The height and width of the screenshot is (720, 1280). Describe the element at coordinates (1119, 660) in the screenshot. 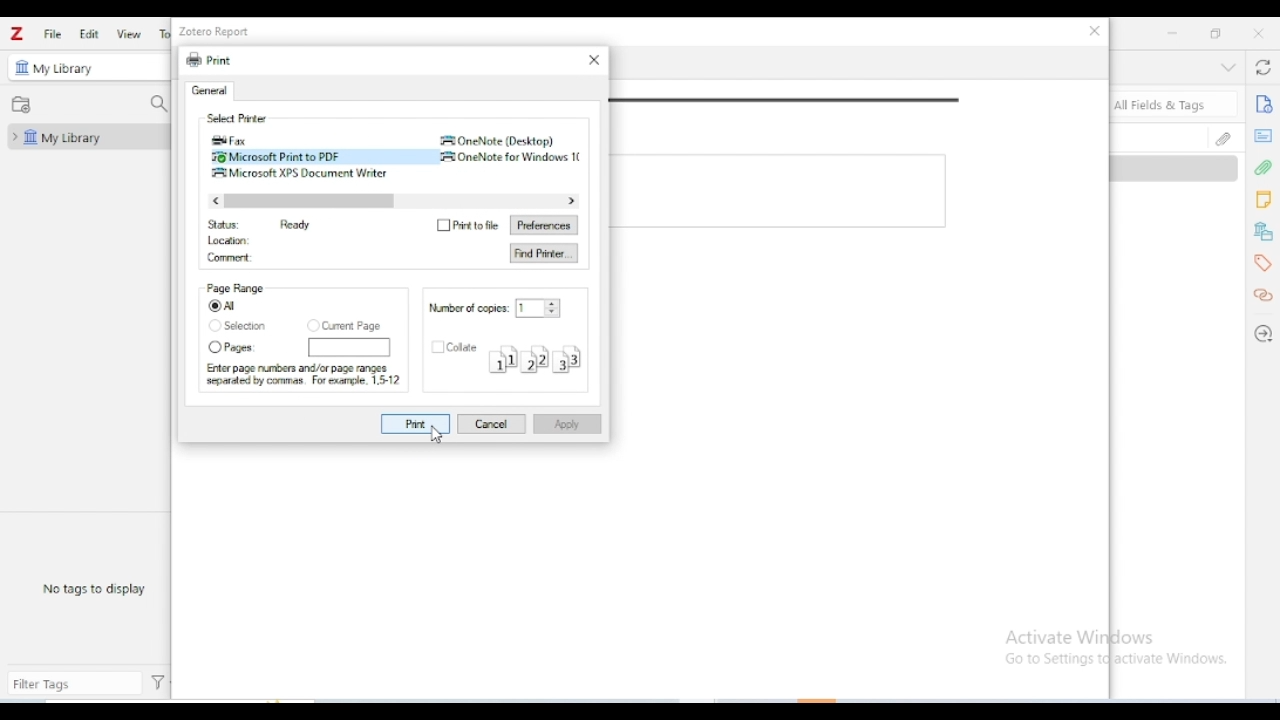

I see `Go to Settings to activate Windows.` at that location.